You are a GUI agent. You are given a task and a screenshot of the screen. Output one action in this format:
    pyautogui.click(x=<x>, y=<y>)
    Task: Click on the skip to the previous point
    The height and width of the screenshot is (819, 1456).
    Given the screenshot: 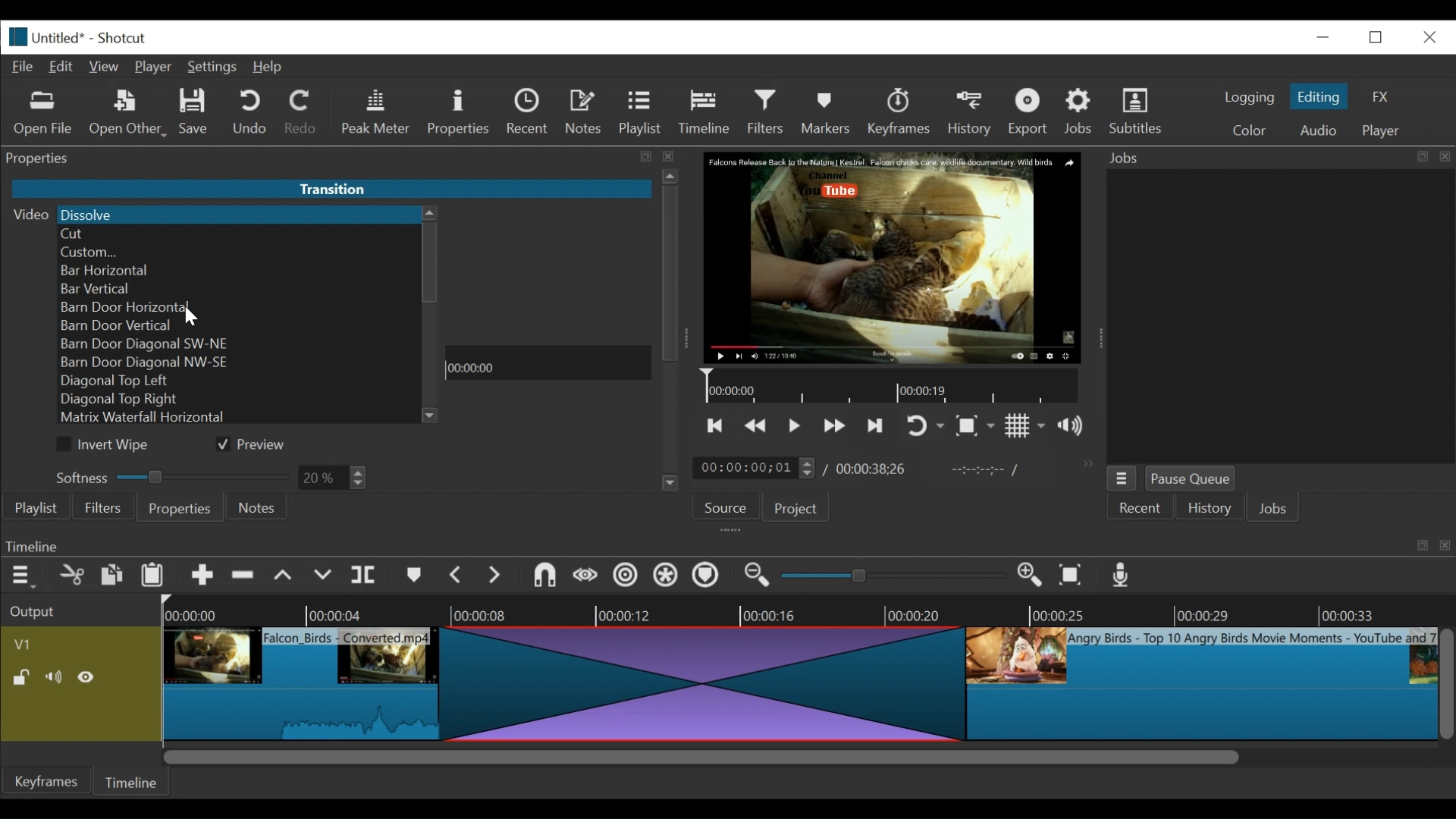 What is the action you would take?
    pyautogui.click(x=715, y=426)
    